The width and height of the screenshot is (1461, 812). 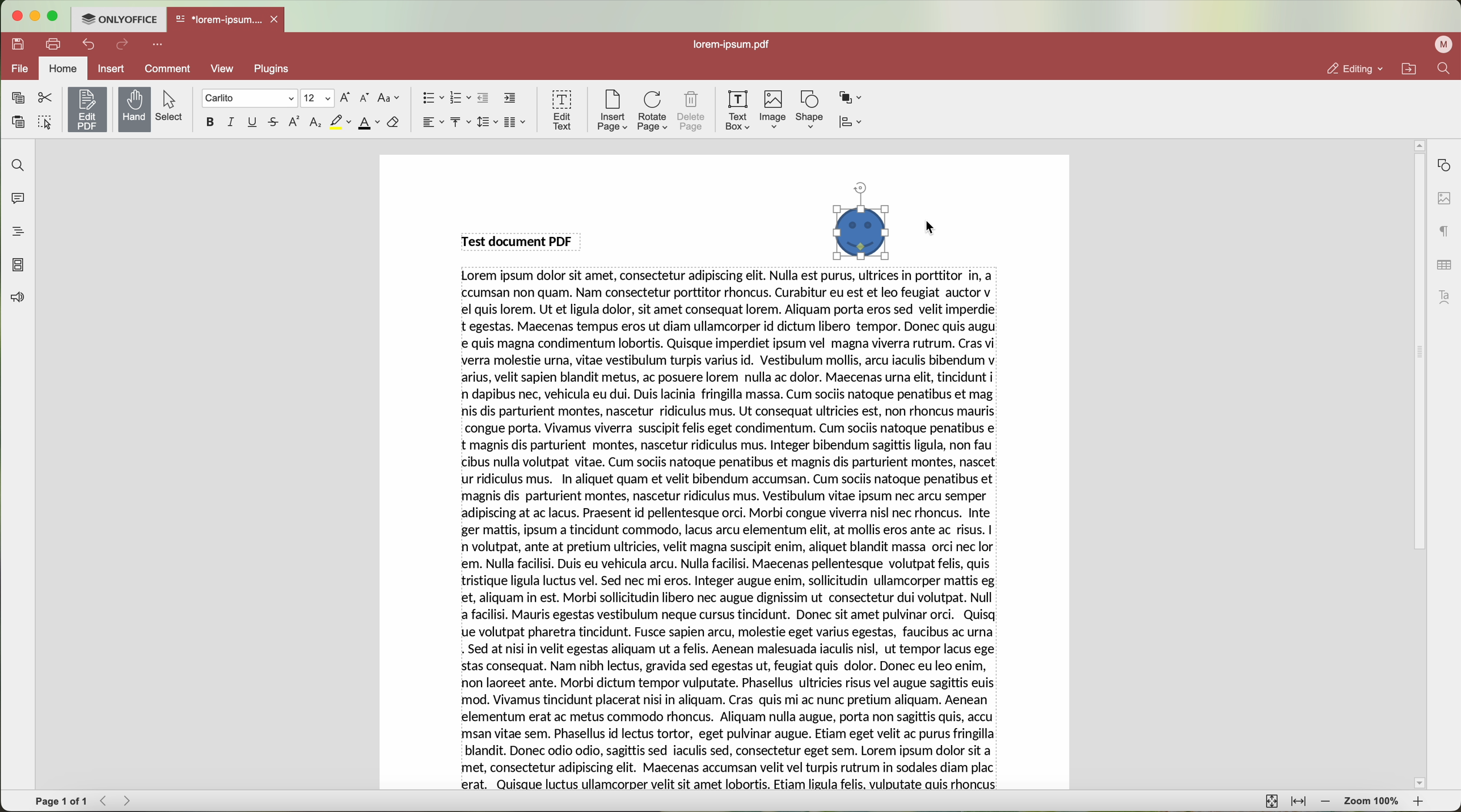 I want to click on insert, so click(x=112, y=68).